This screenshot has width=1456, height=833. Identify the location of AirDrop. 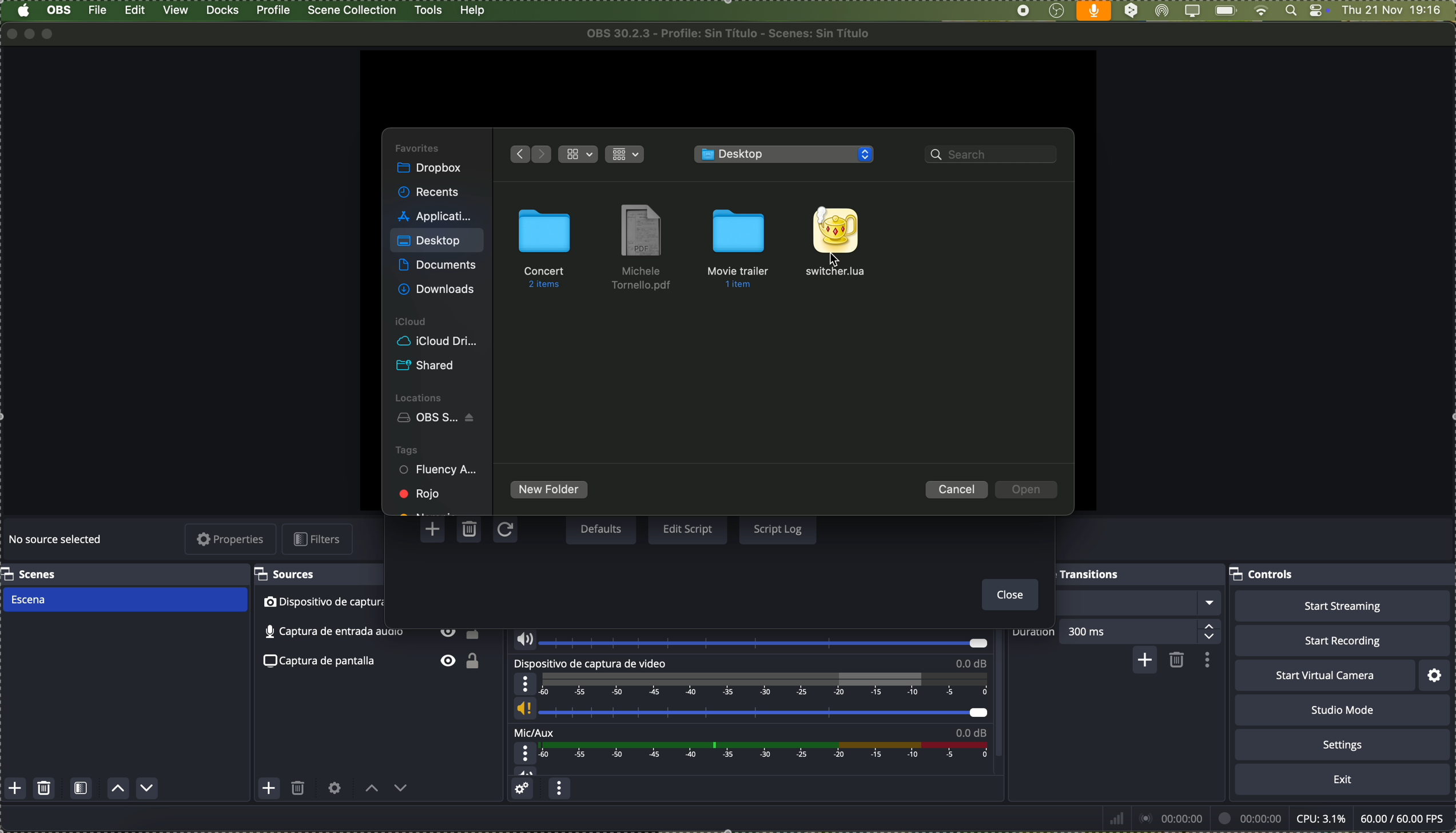
(1163, 11).